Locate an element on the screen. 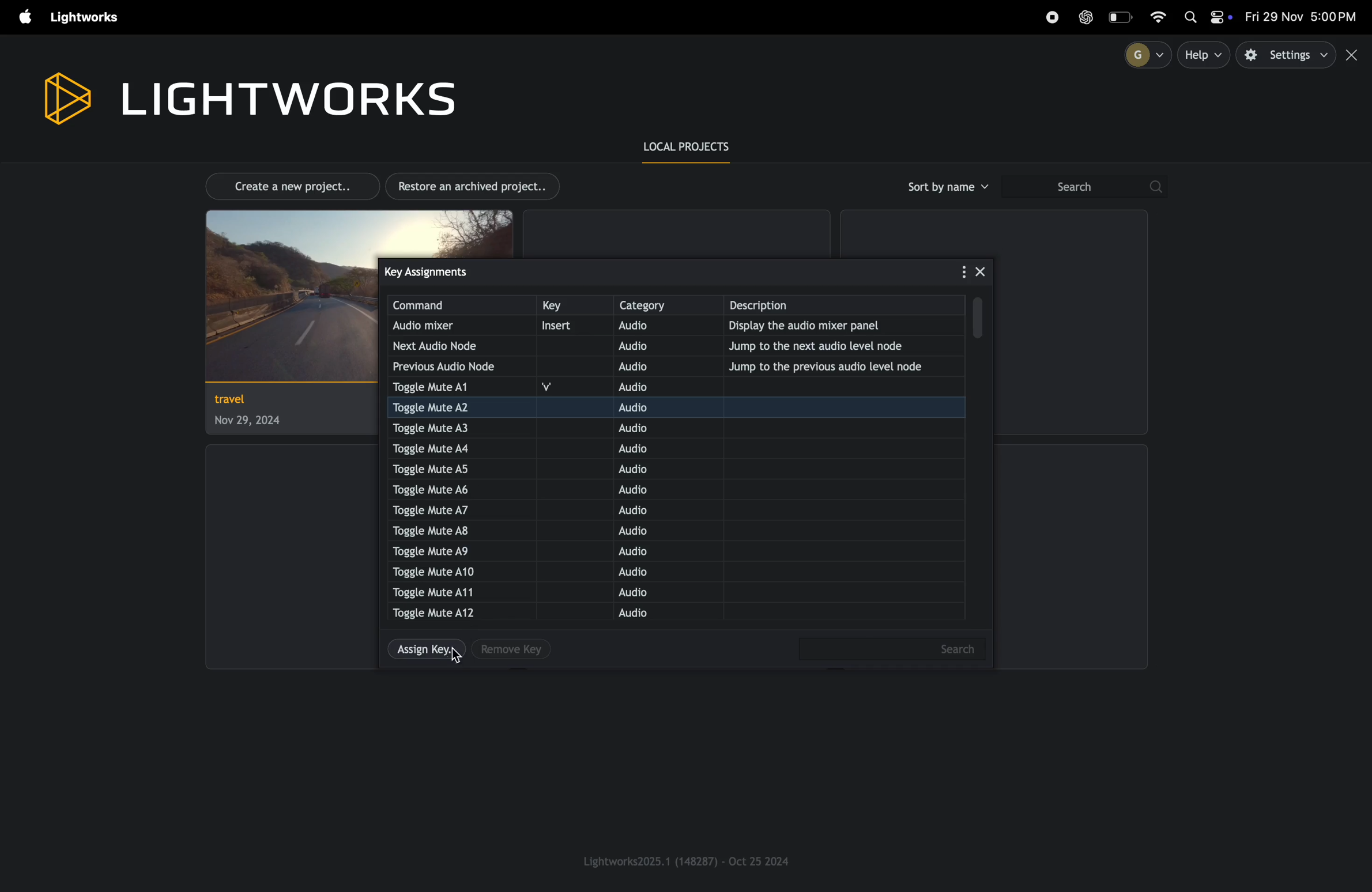 The width and height of the screenshot is (1372, 892). toggle mute 1 is located at coordinates (443, 388).